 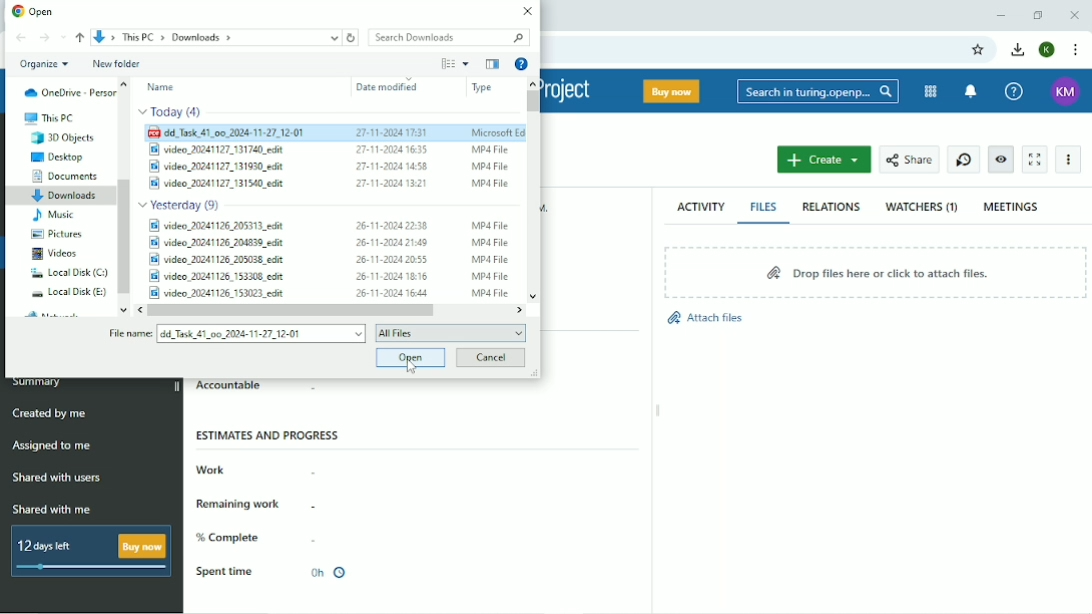 What do you see at coordinates (387, 87) in the screenshot?
I see `Date modified` at bounding box center [387, 87].